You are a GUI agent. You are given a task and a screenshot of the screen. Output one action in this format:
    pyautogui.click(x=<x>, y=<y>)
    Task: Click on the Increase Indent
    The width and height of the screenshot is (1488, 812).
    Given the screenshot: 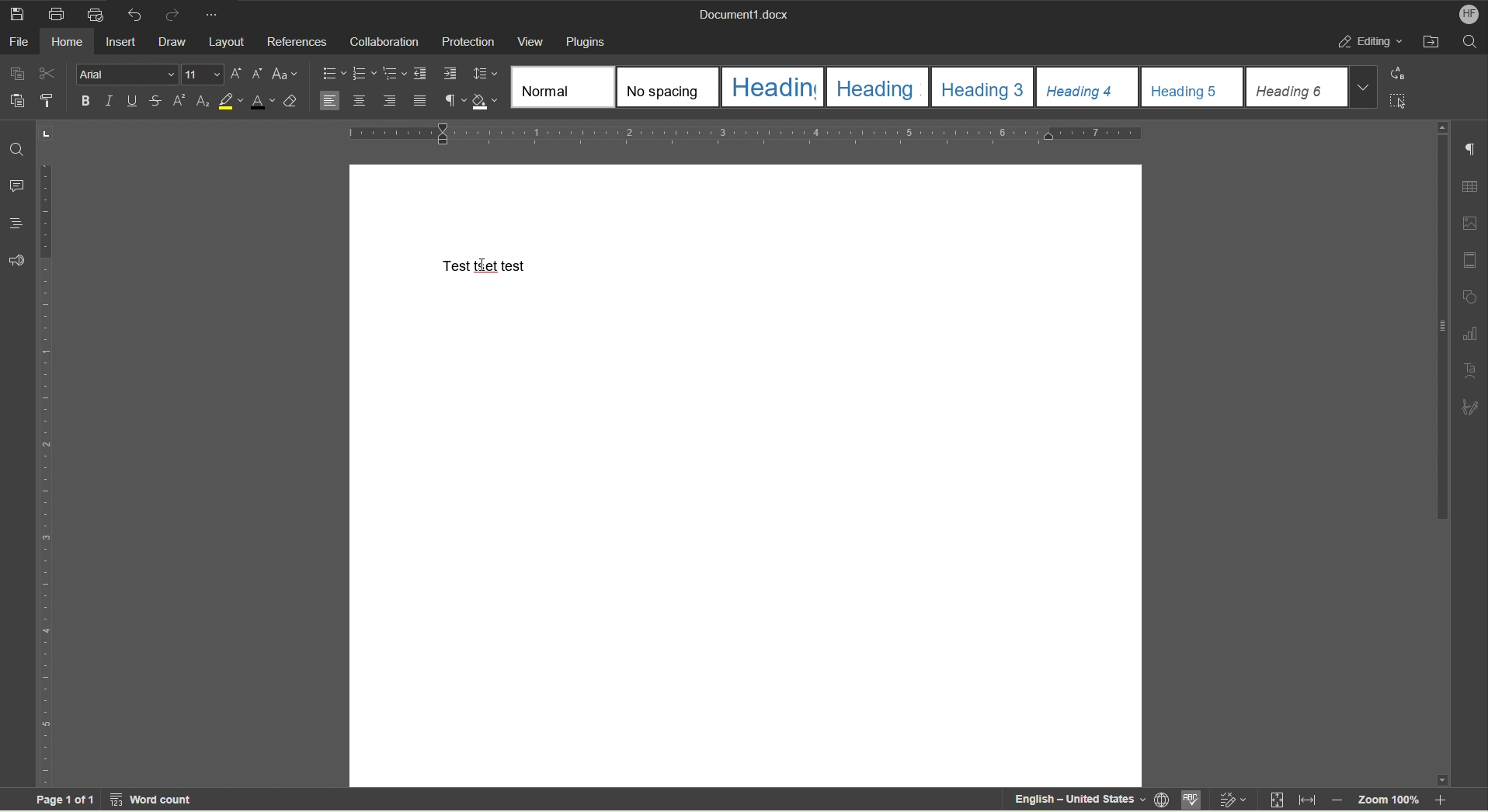 What is the action you would take?
    pyautogui.click(x=449, y=75)
    